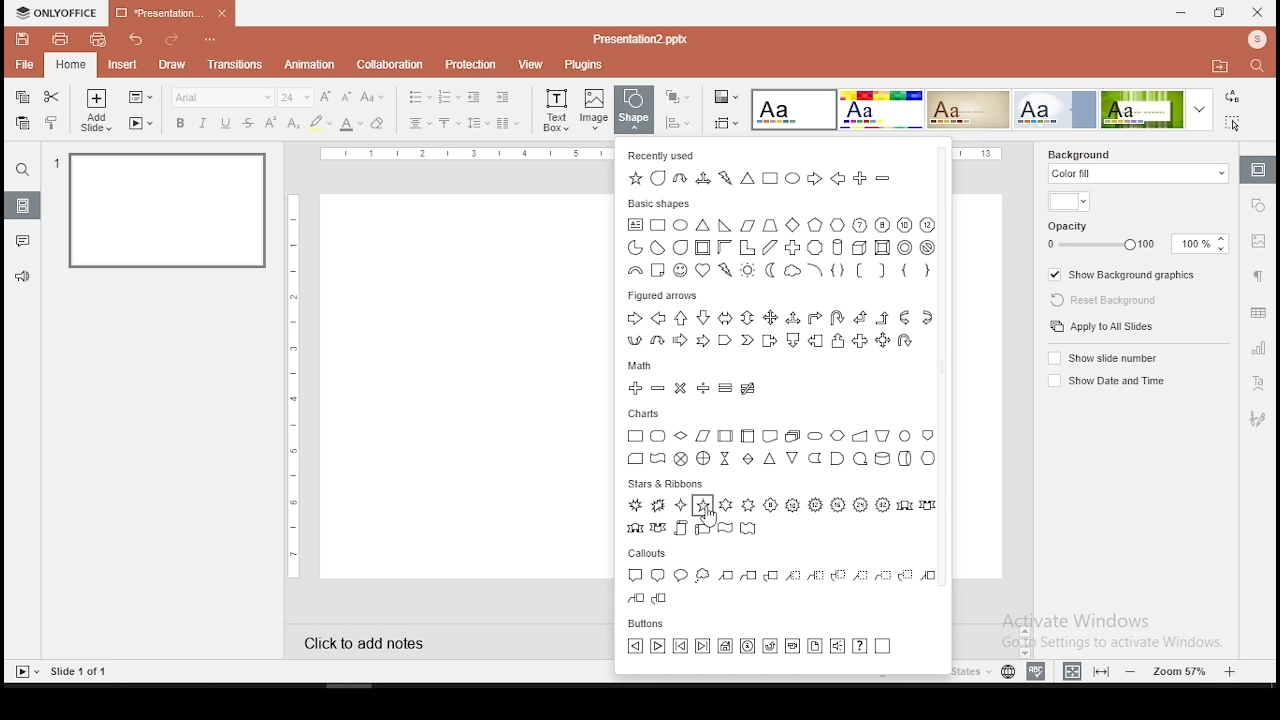 This screenshot has height=720, width=1280. I want to click on math, so click(644, 364).